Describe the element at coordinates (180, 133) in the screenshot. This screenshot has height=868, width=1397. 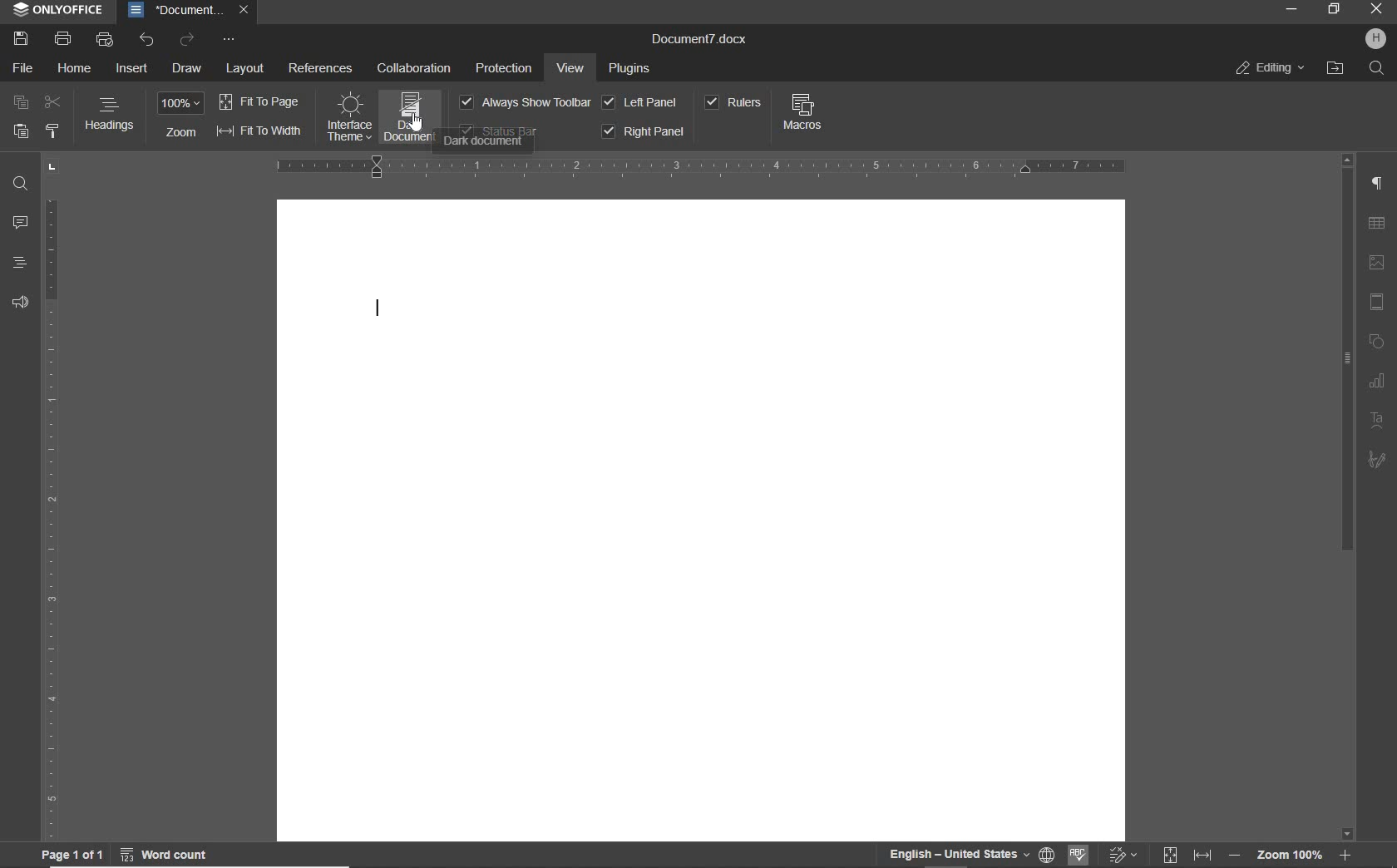
I see `ZOOM` at that location.